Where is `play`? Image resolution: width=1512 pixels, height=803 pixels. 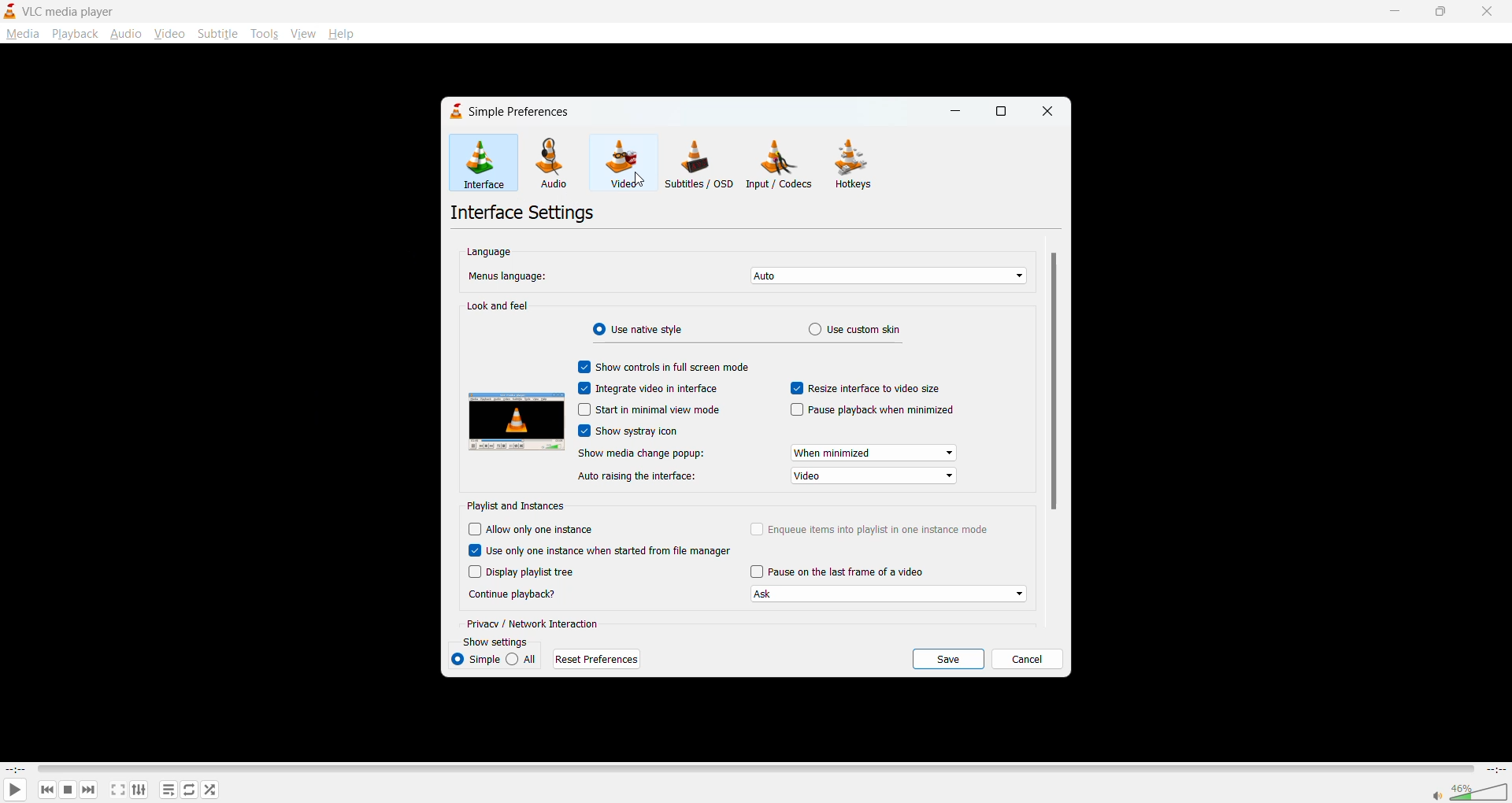
play is located at coordinates (13, 789).